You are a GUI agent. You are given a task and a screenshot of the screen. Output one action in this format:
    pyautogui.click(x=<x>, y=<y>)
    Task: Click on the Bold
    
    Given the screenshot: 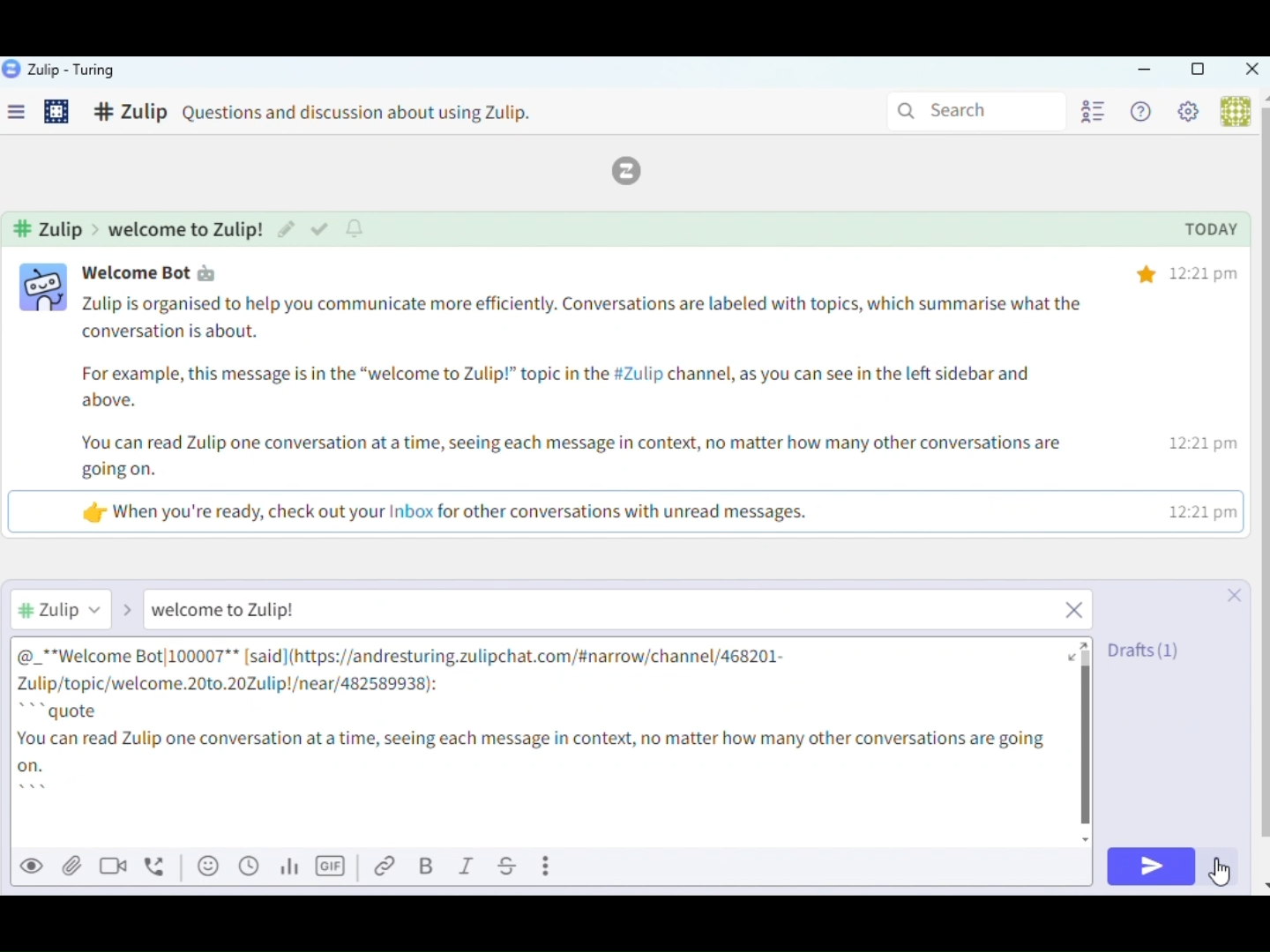 What is the action you would take?
    pyautogui.click(x=429, y=867)
    